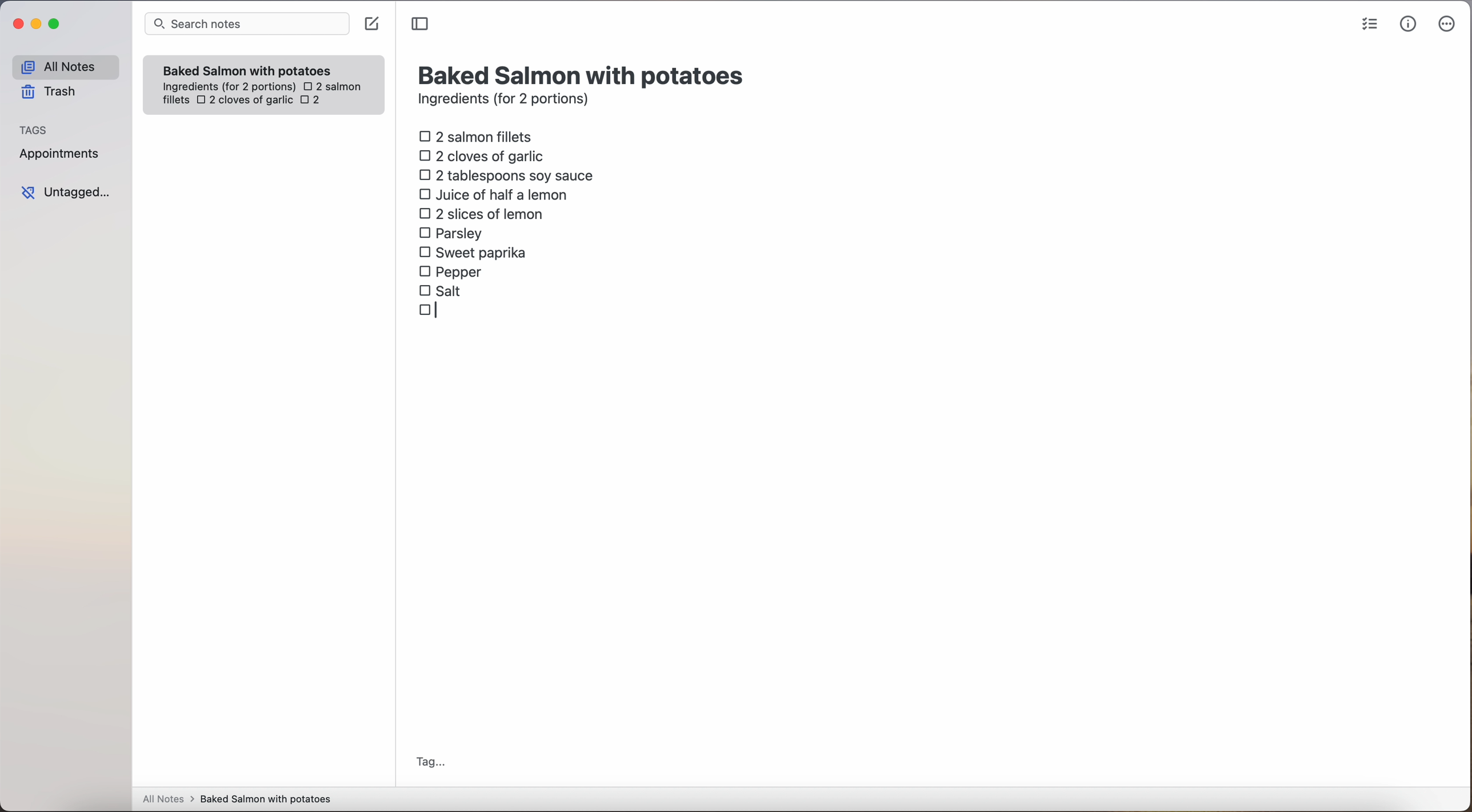  What do you see at coordinates (246, 25) in the screenshot?
I see `search bar` at bounding box center [246, 25].